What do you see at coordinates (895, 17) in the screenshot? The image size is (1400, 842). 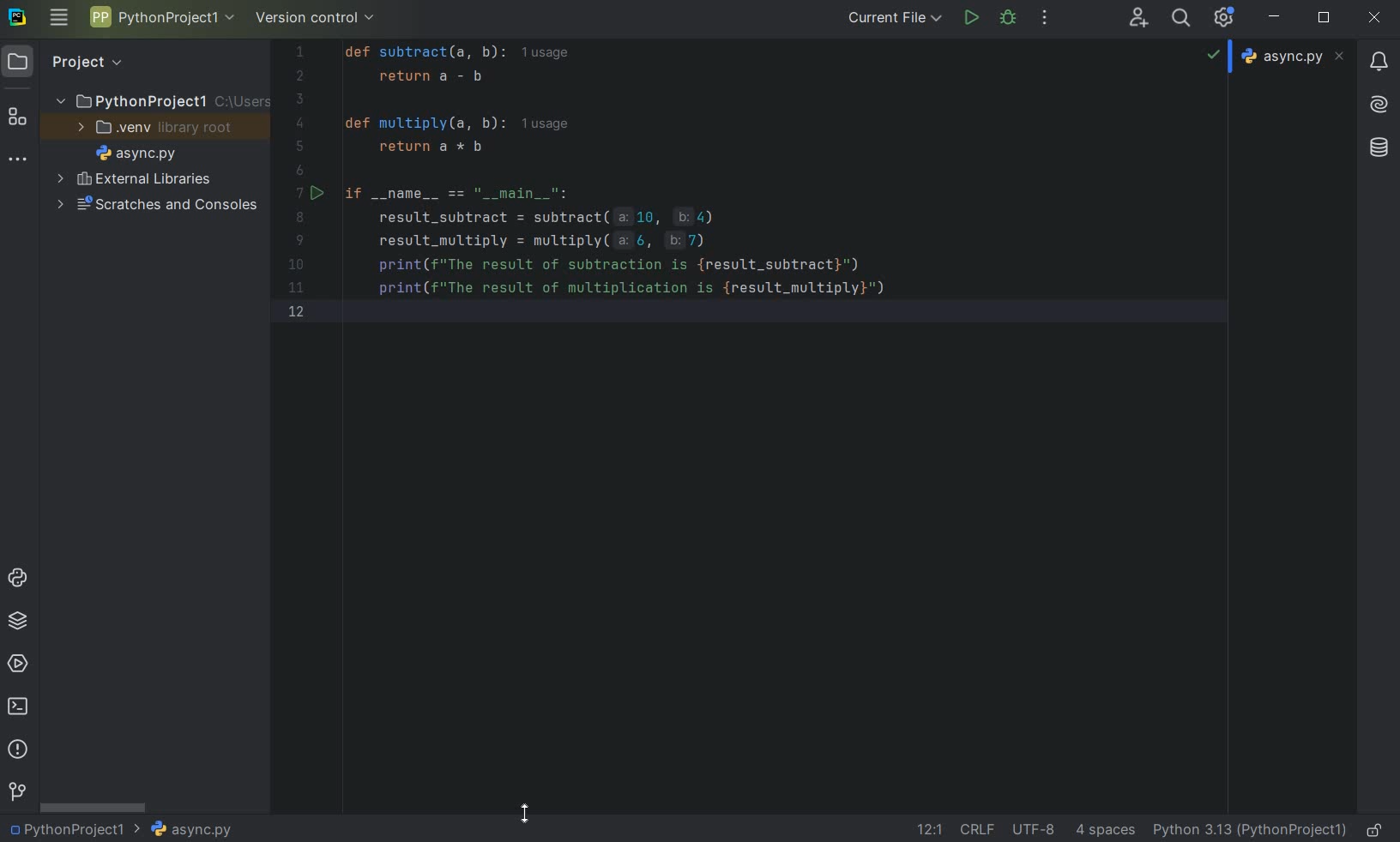 I see `current file` at bounding box center [895, 17].